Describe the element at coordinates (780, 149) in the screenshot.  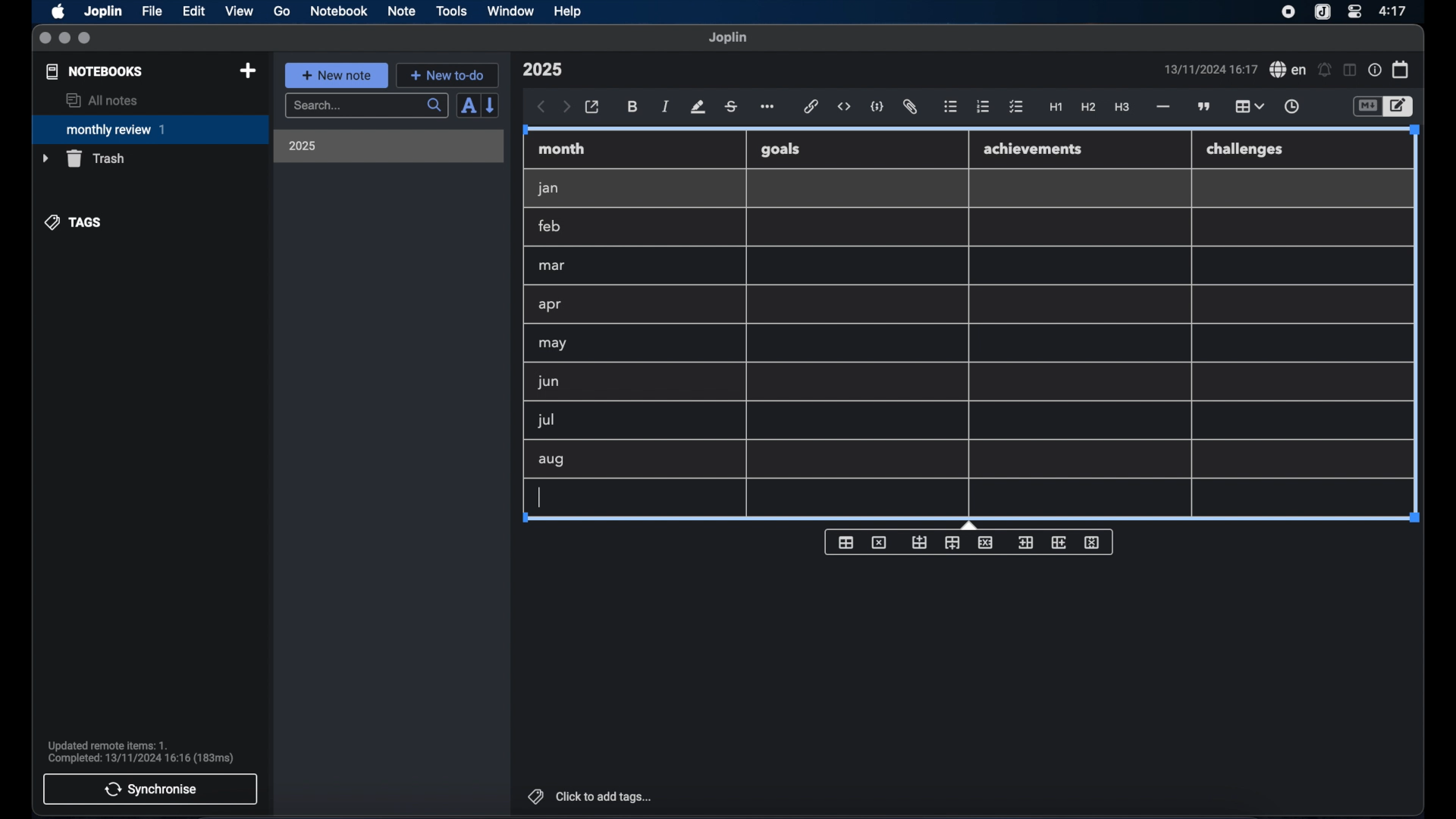
I see `goals` at that location.